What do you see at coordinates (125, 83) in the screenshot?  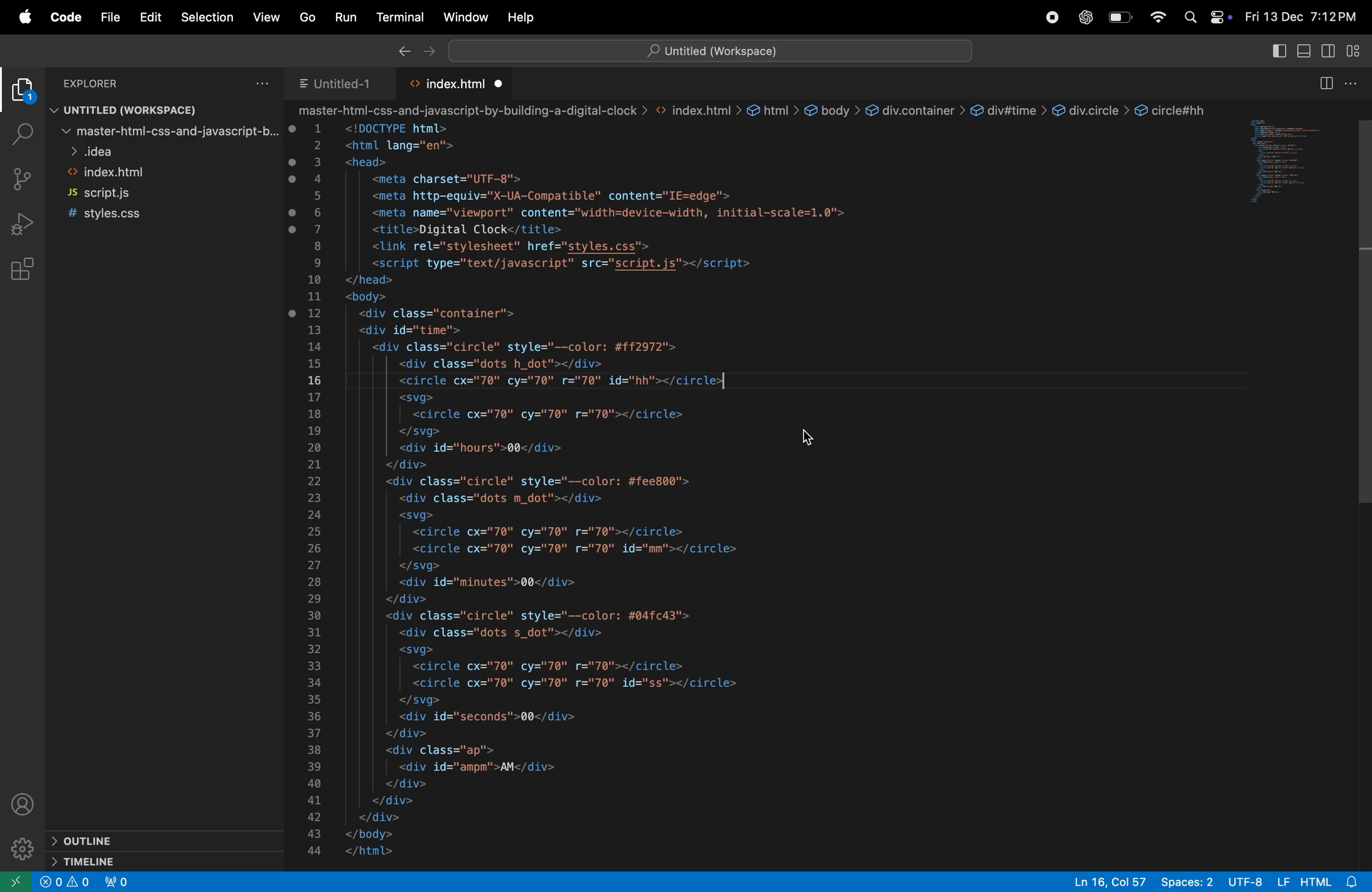 I see `explorer` at bounding box center [125, 83].